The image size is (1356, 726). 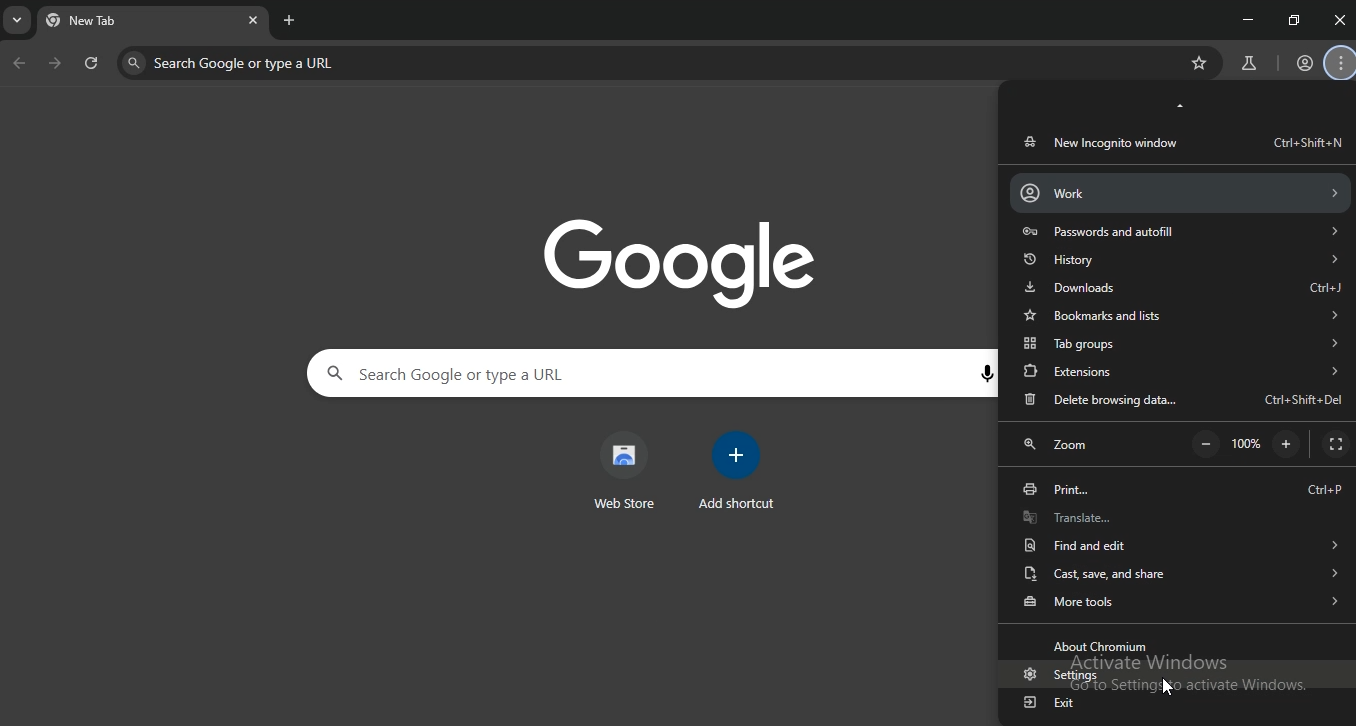 What do you see at coordinates (19, 64) in the screenshot?
I see `click to go back` at bounding box center [19, 64].